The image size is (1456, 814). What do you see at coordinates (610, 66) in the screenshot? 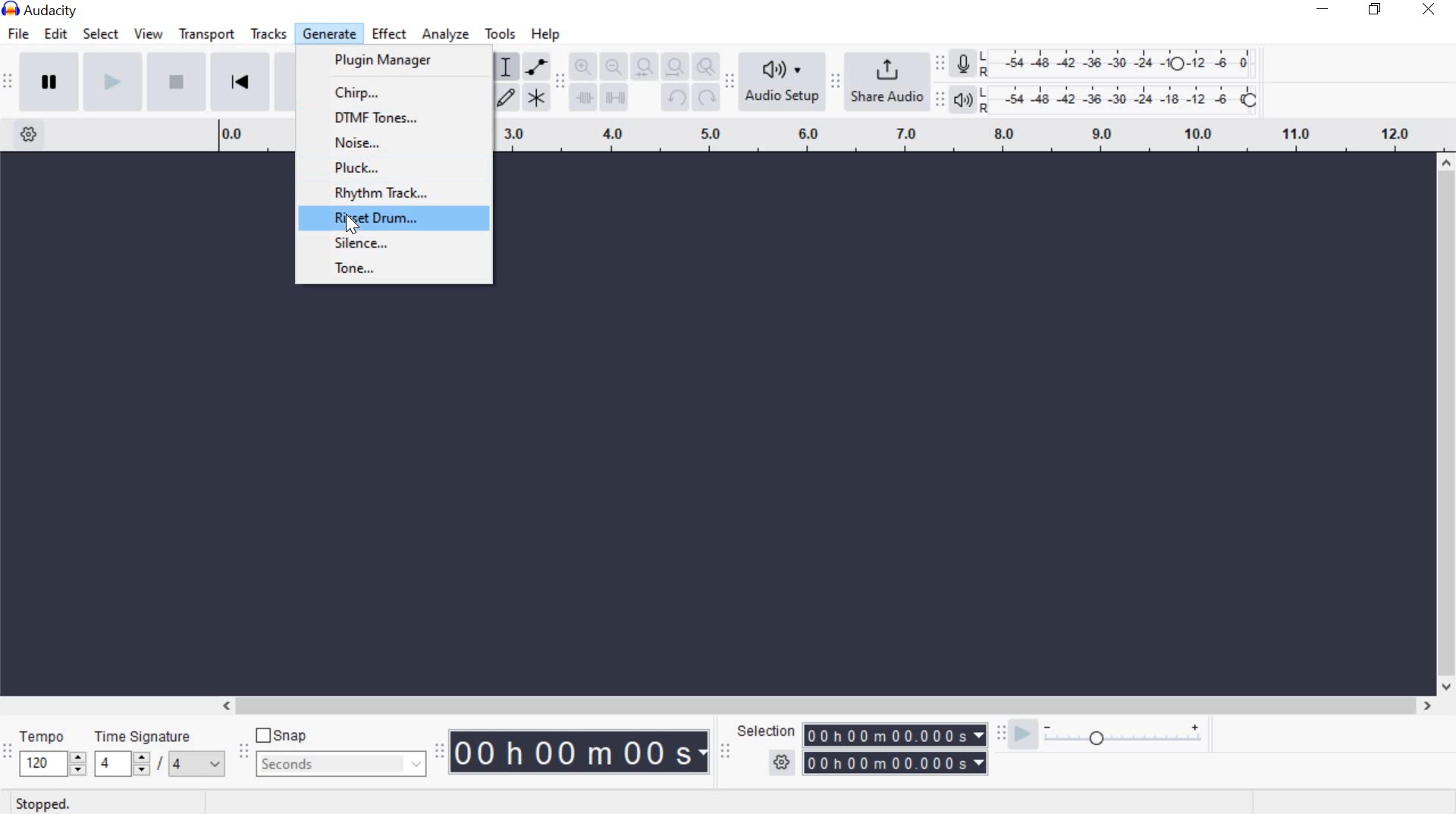
I see `Zoom Out` at bounding box center [610, 66].